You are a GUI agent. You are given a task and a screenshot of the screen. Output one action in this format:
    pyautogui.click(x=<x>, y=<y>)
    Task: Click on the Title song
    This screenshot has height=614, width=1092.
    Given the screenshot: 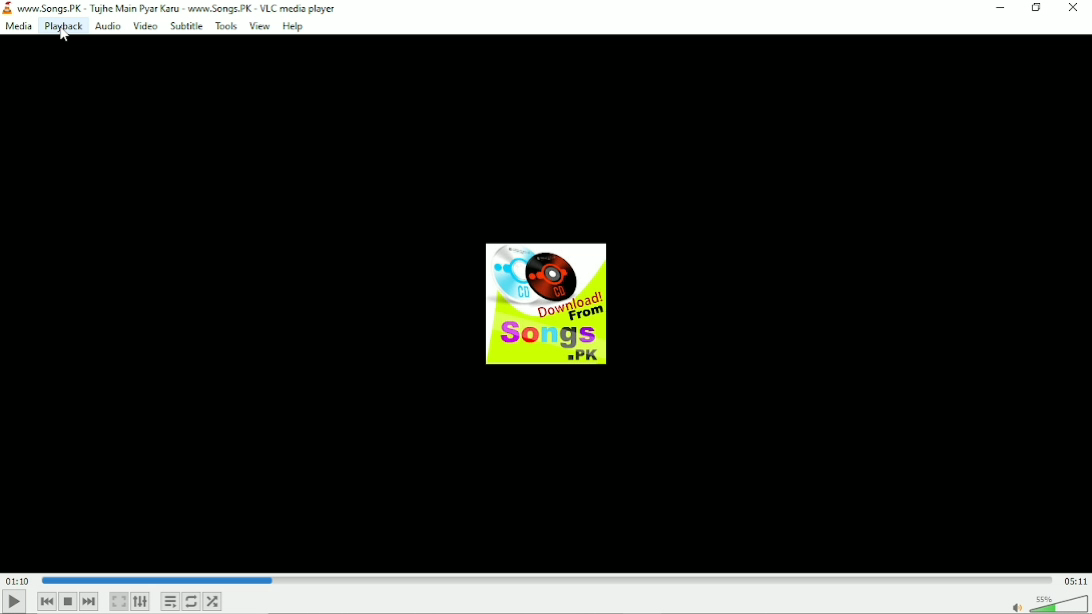 What is the action you would take?
    pyautogui.click(x=183, y=8)
    